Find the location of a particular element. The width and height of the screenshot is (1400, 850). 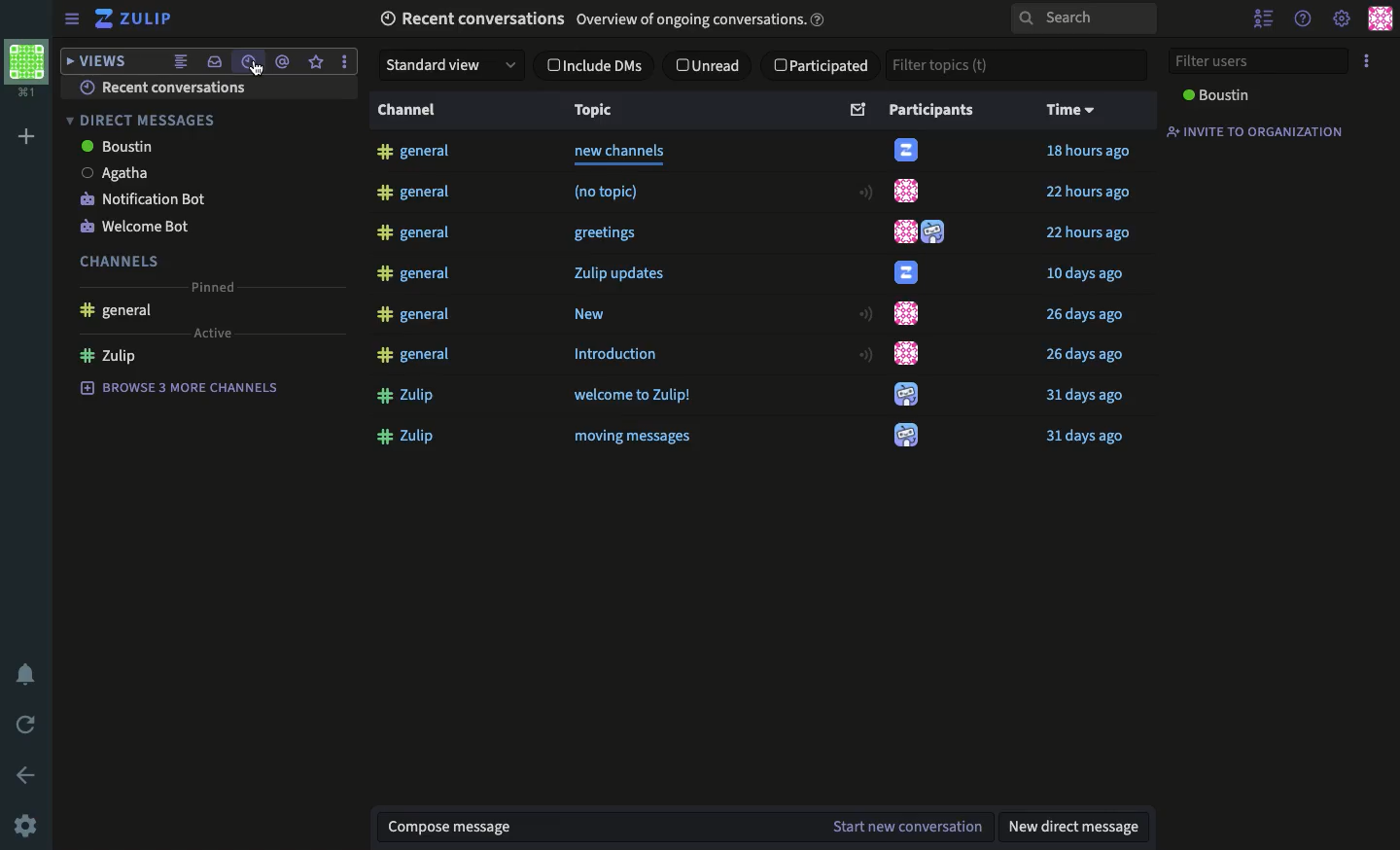

notification bot is located at coordinates (140, 200).